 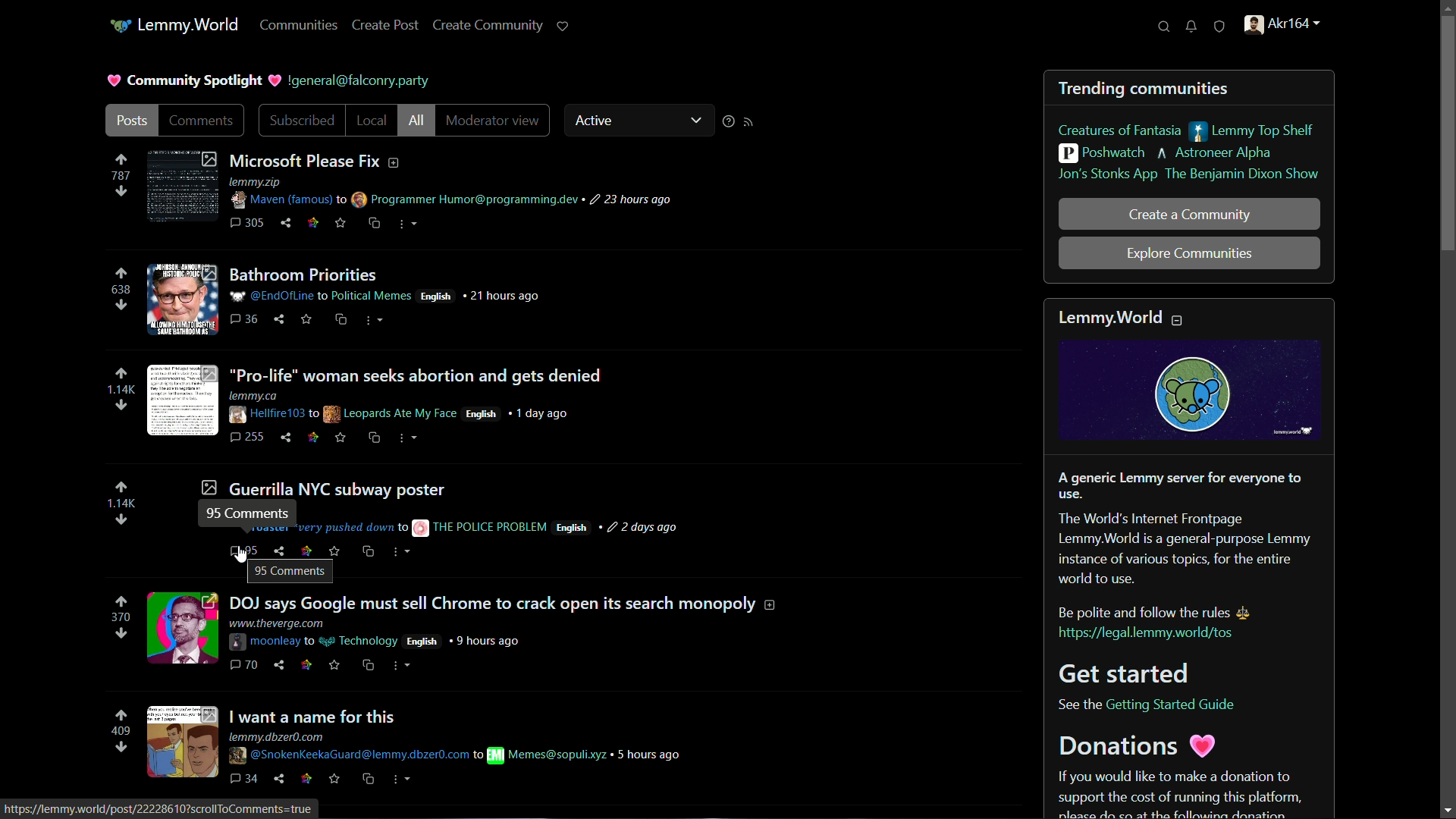 What do you see at coordinates (131, 121) in the screenshot?
I see `posts` at bounding box center [131, 121].